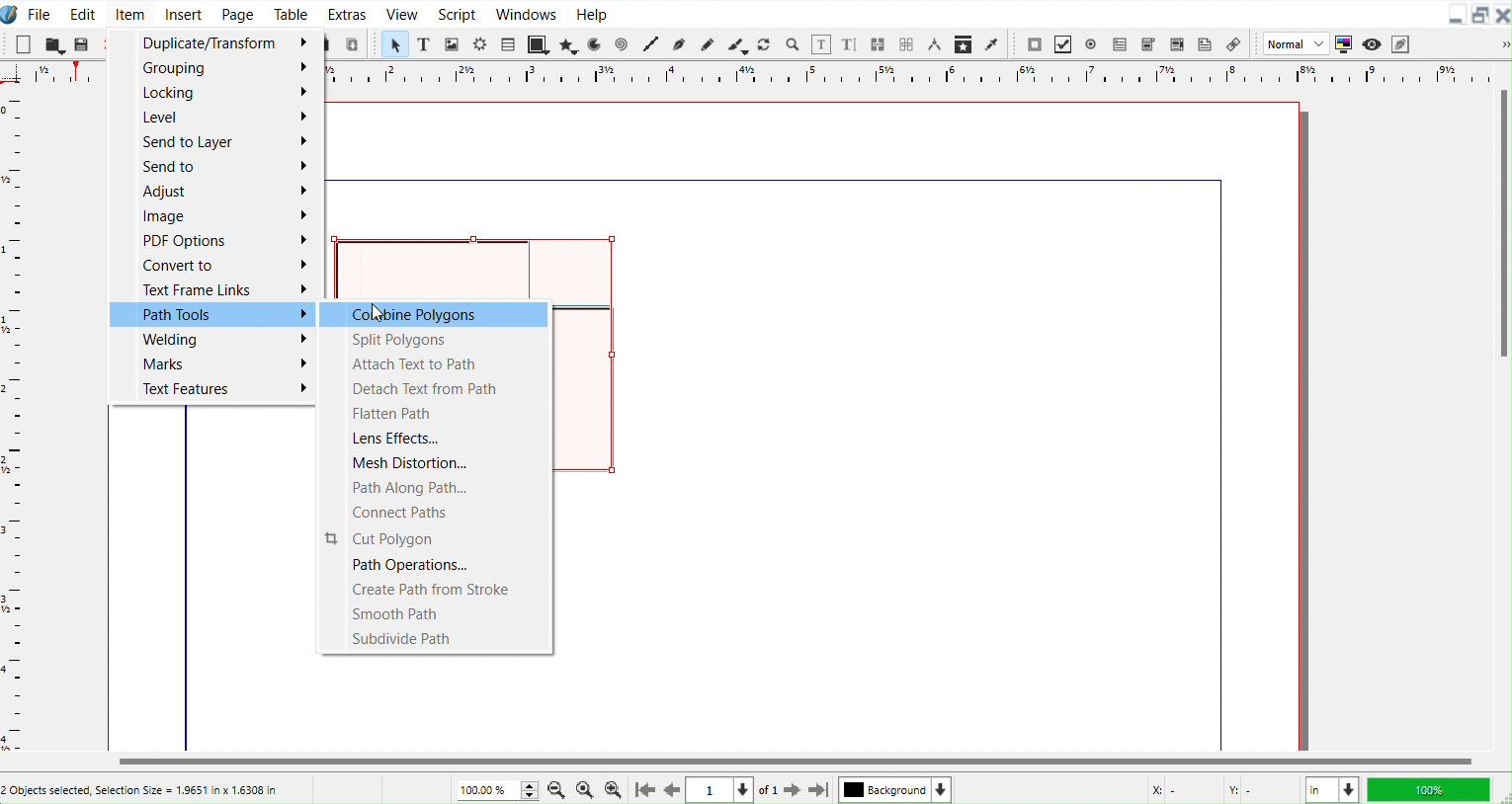 The image size is (1512, 804). I want to click on PDF Check box, so click(1062, 43).